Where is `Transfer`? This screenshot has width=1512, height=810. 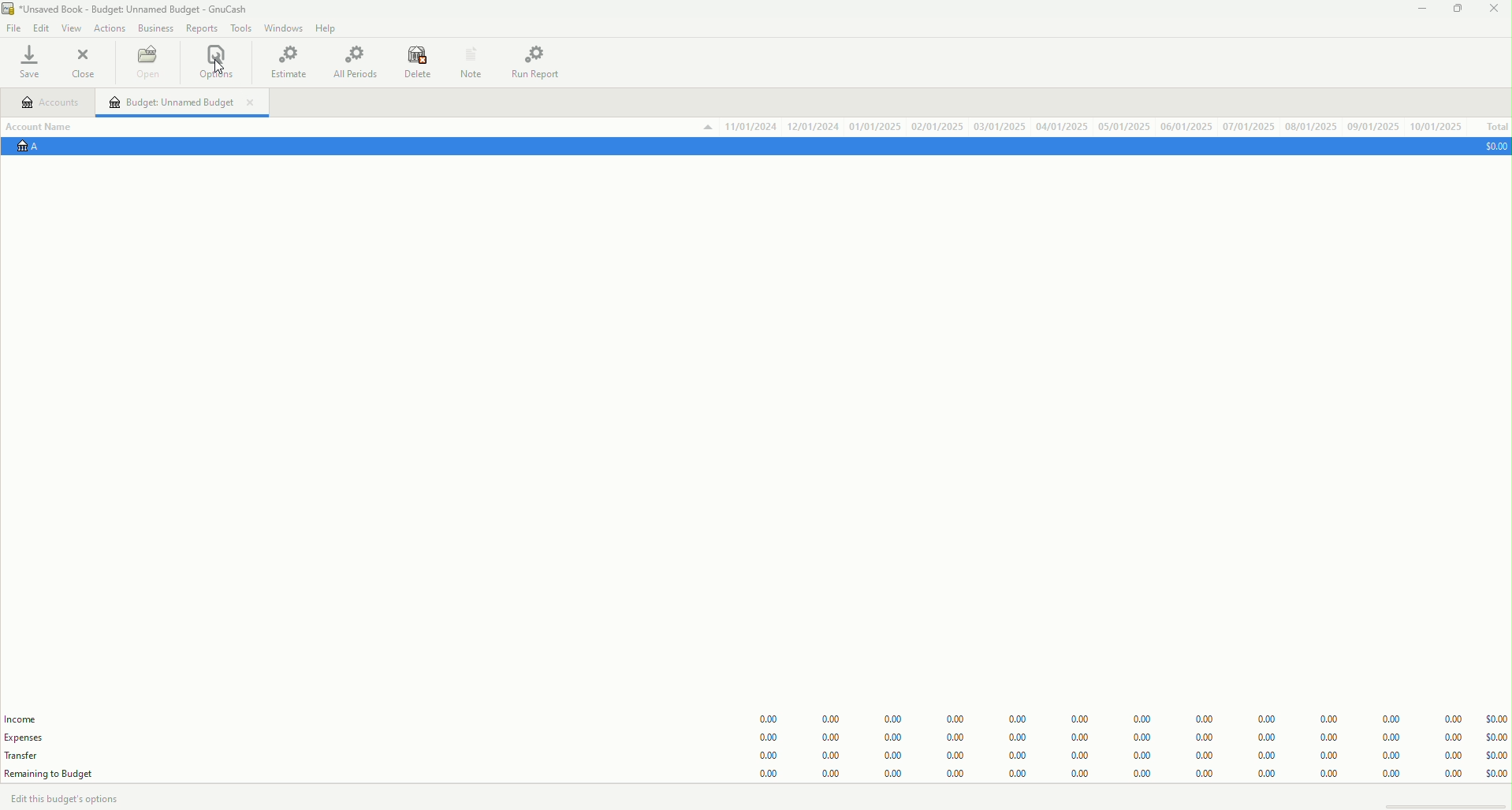
Transfer is located at coordinates (31, 755).